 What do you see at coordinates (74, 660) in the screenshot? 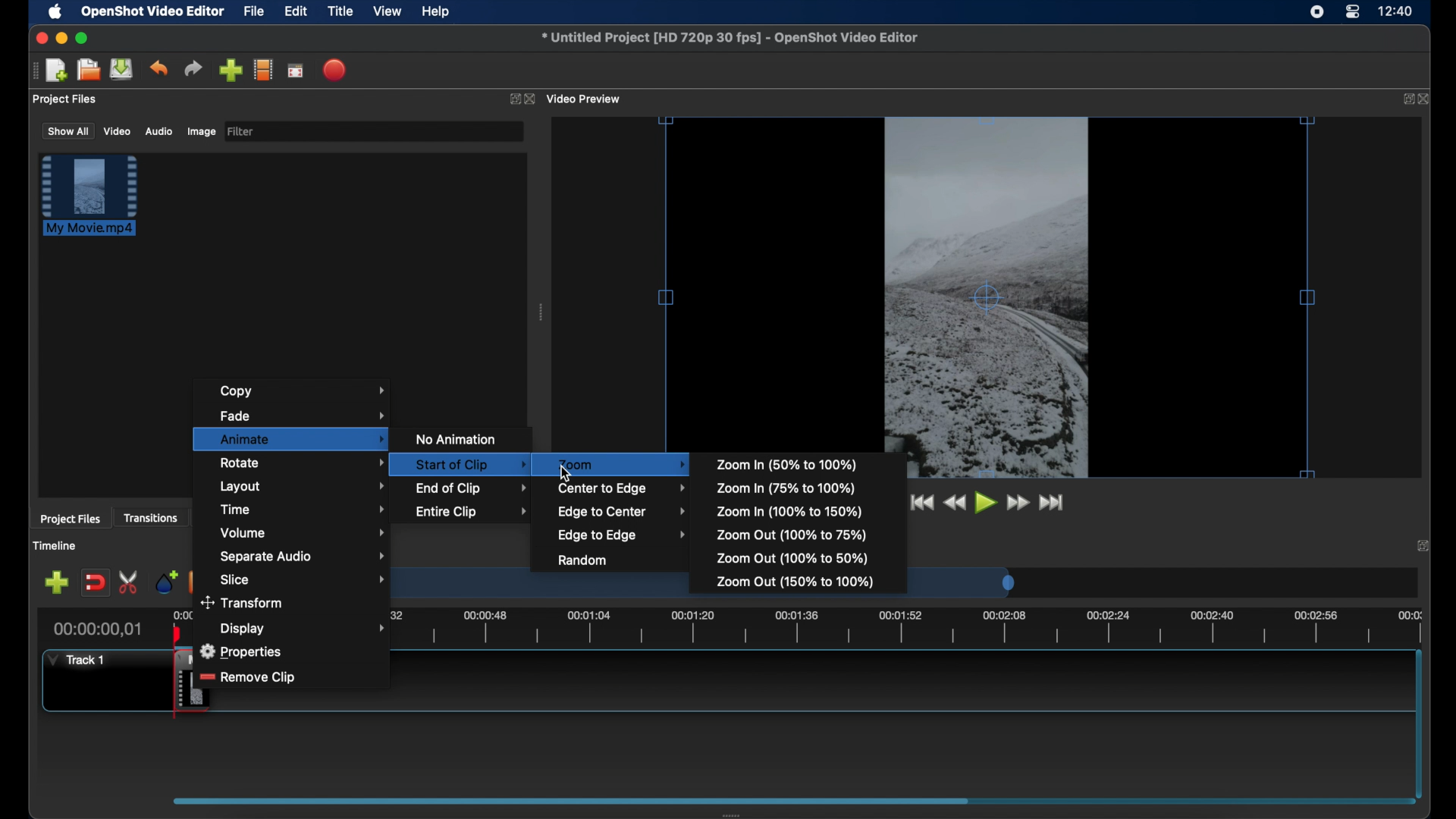
I see `track 1` at bounding box center [74, 660].